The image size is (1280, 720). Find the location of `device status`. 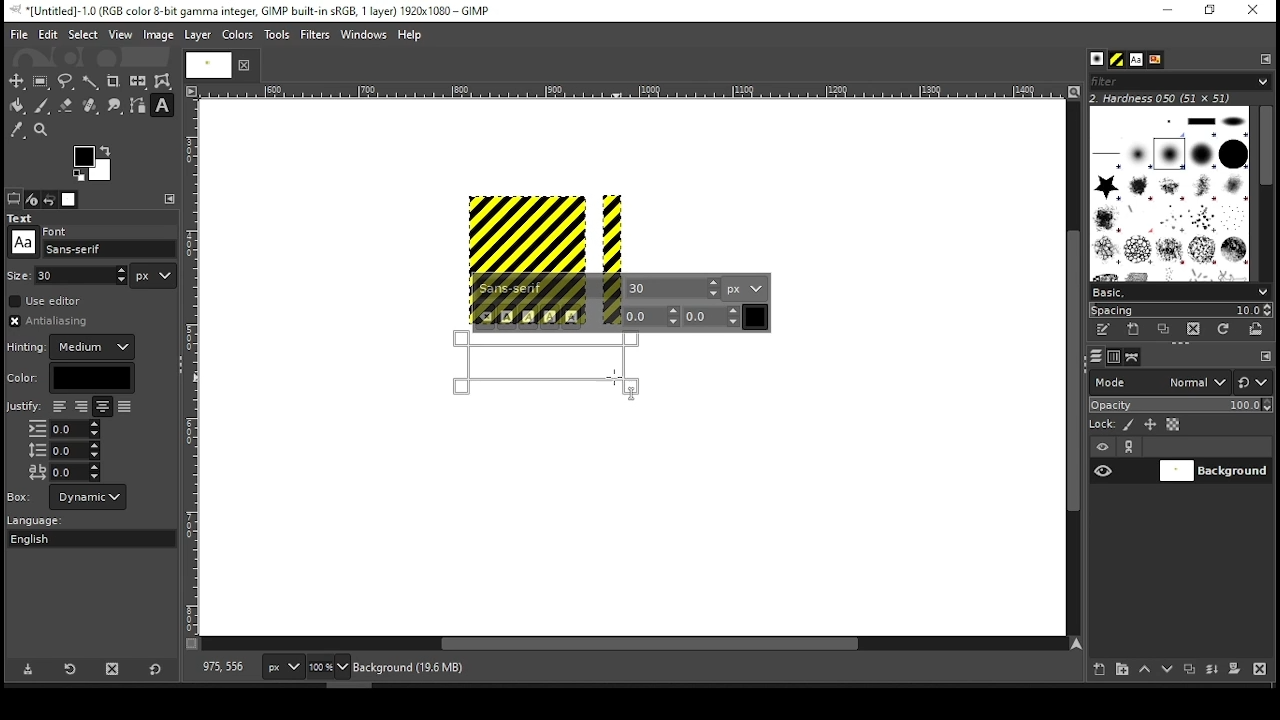

device status is located at coordinates (32, 199).